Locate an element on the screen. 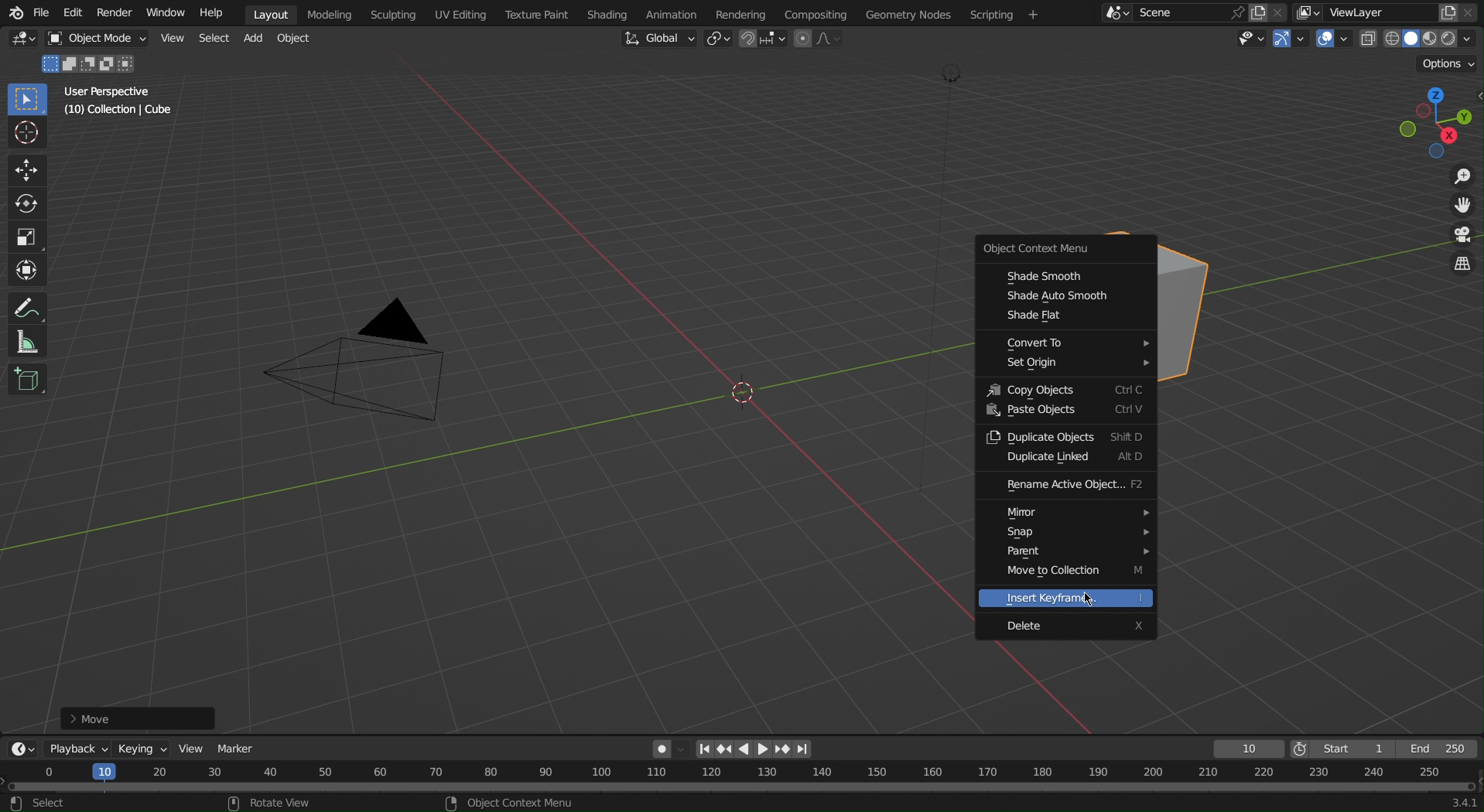 The image size is (1484, 812). Animation is located at coordinates (685, 12).